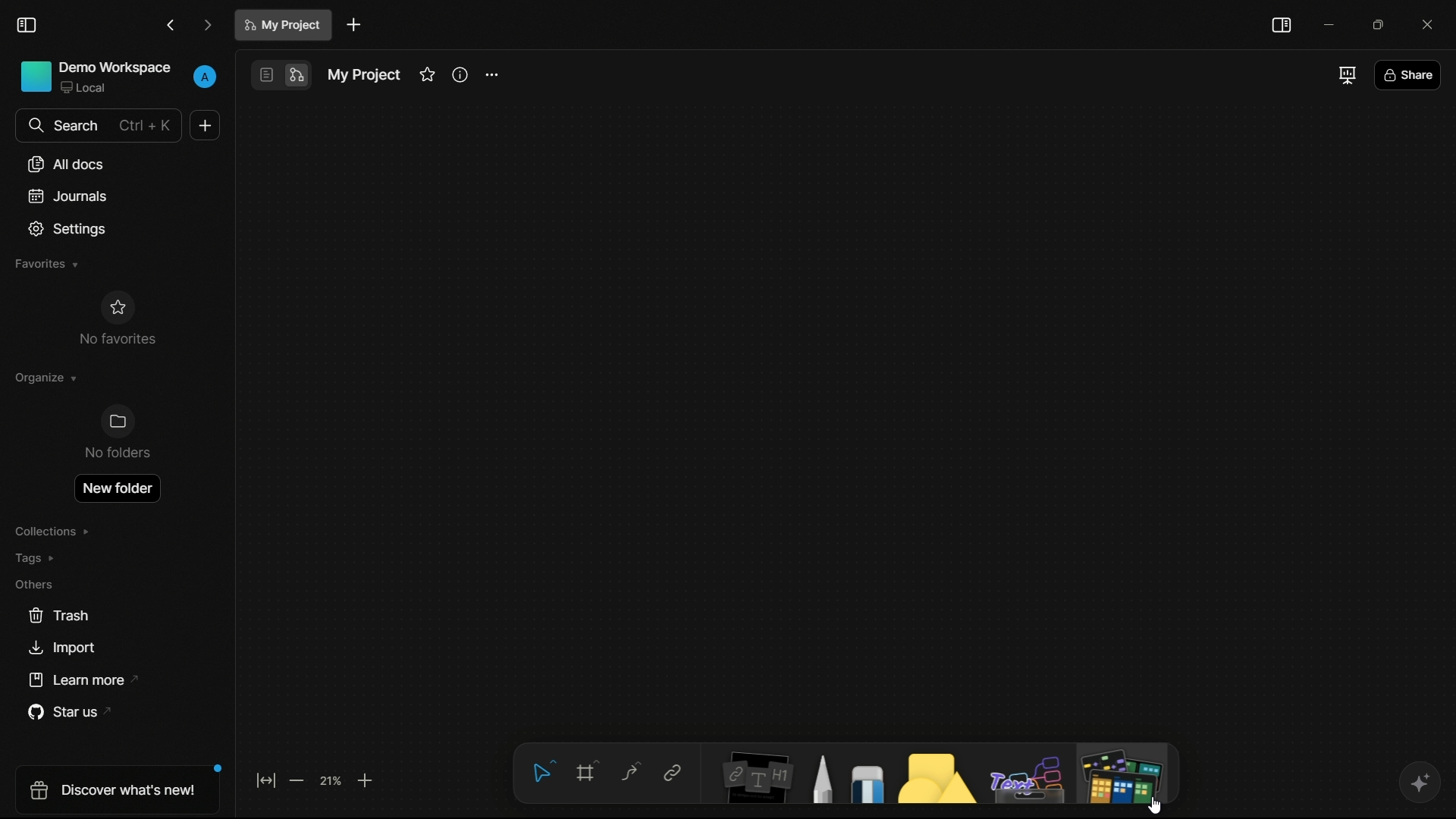 This screenshot has width=1456, height=819. Describe the element at coordinates (493, 75) in the screenshot. I see `project settings` at that location.